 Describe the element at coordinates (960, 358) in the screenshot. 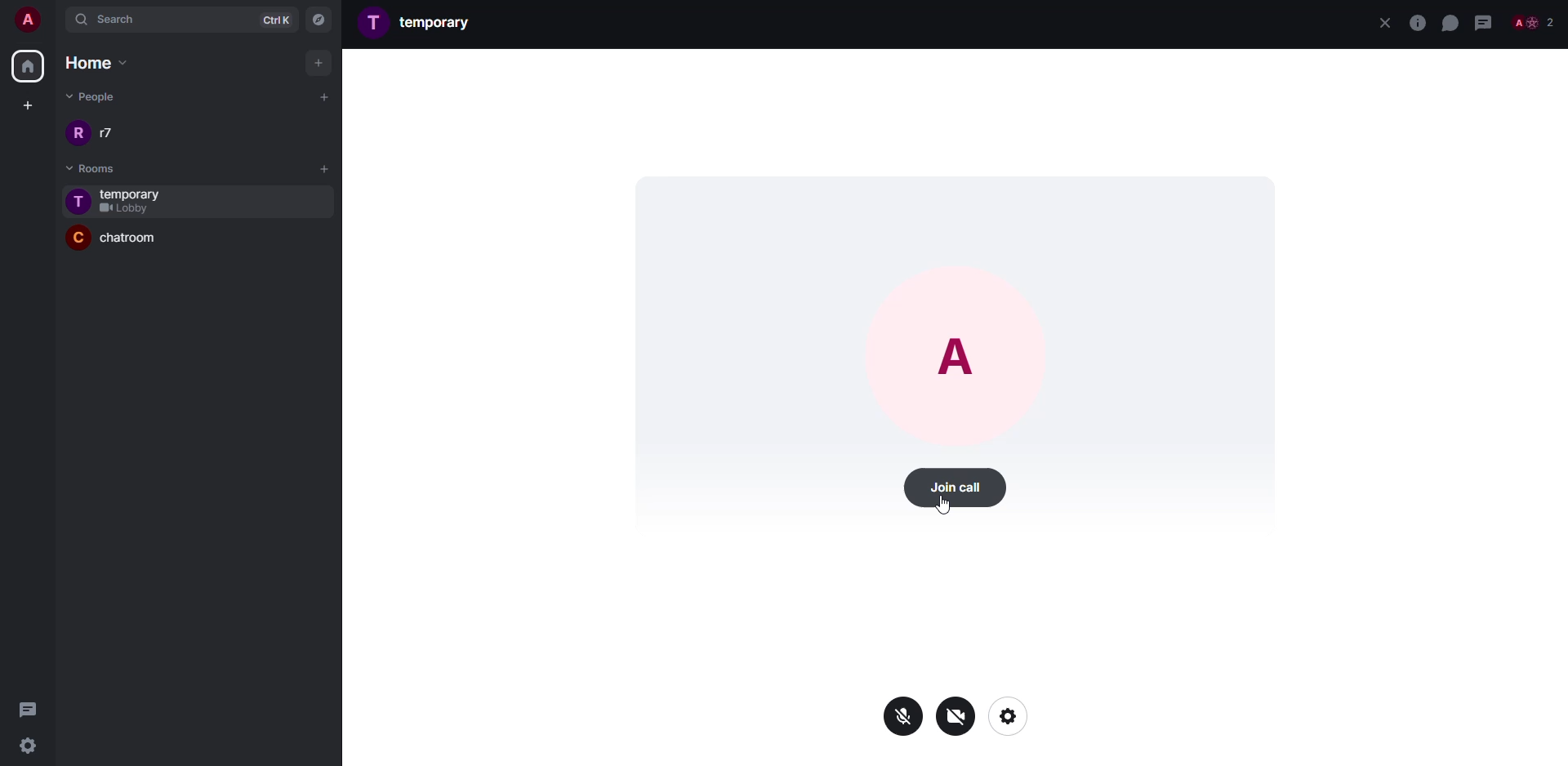

I see `profile` at that location.